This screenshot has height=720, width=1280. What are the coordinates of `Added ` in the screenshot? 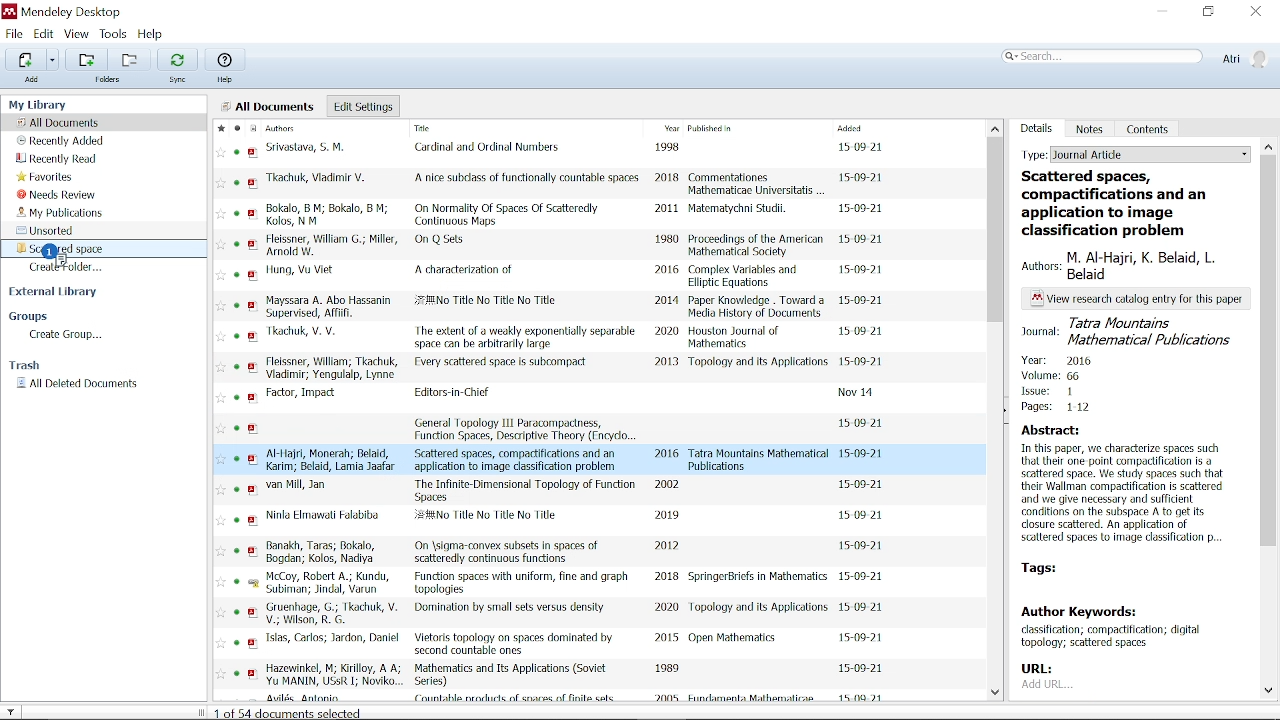 It's located at (867, 128).